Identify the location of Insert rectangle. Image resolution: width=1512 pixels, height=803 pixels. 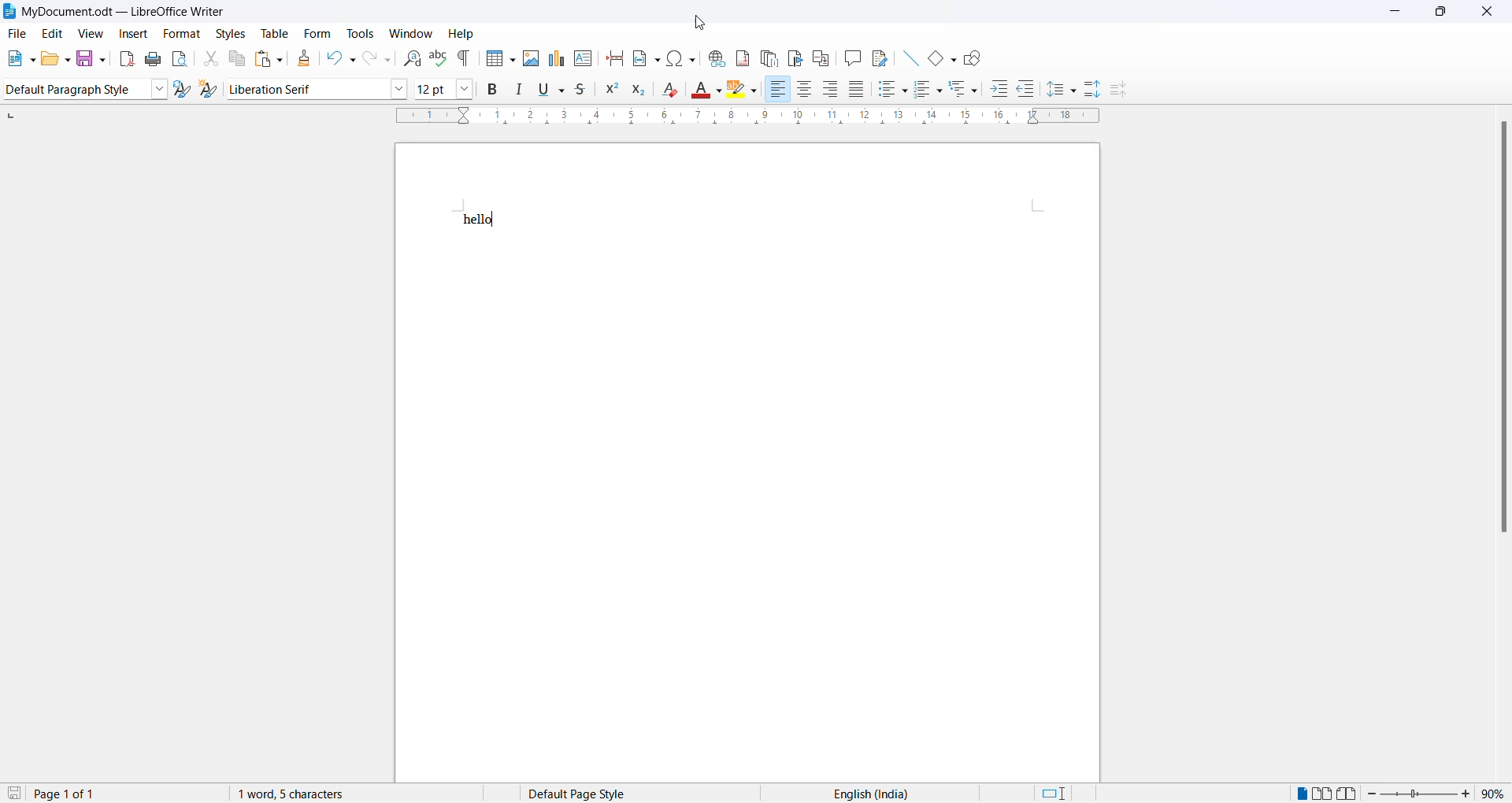
(942, 60).